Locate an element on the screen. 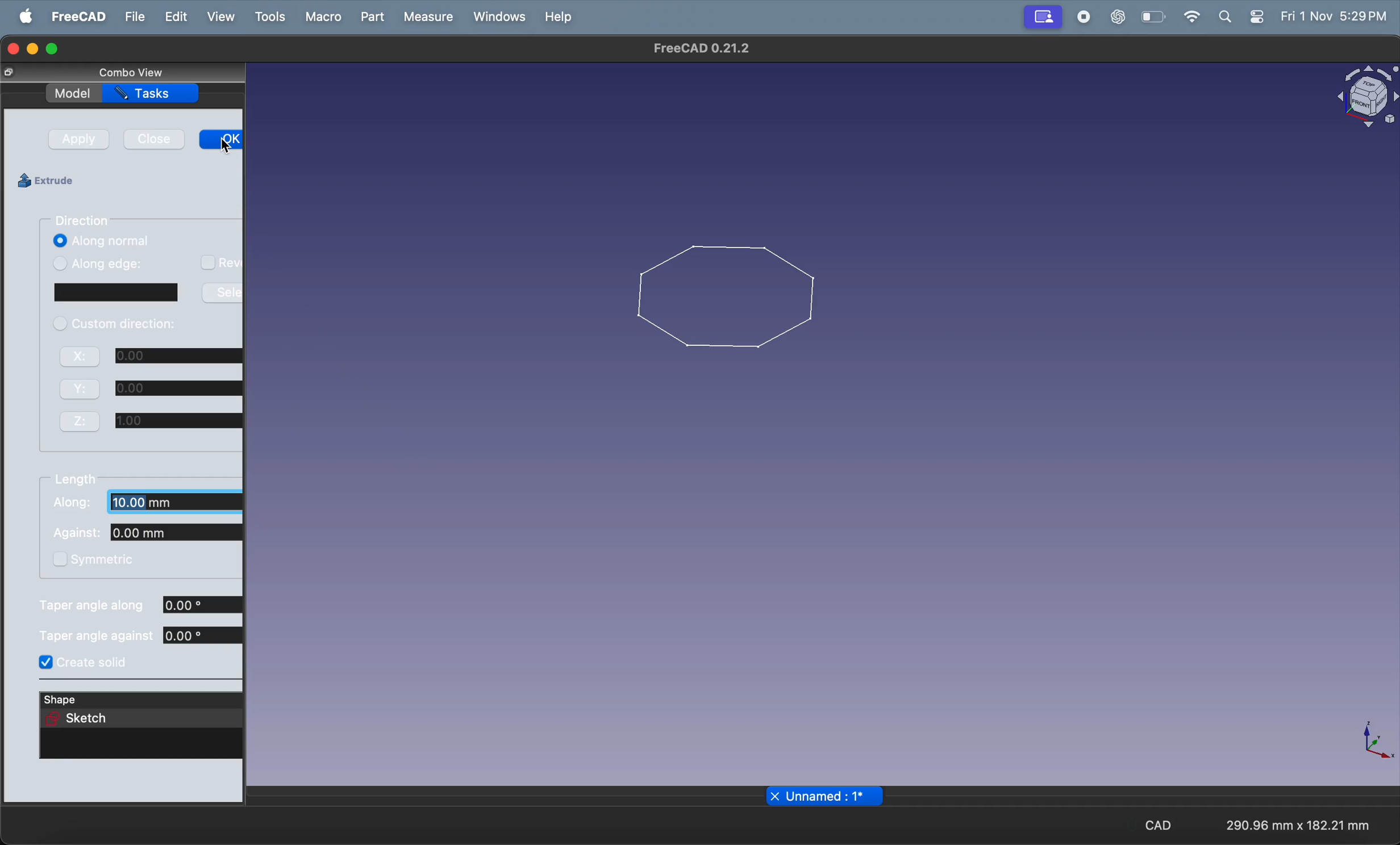 This screenshot has height=845, width=1400. axis is located at coordinates (1370, 746).